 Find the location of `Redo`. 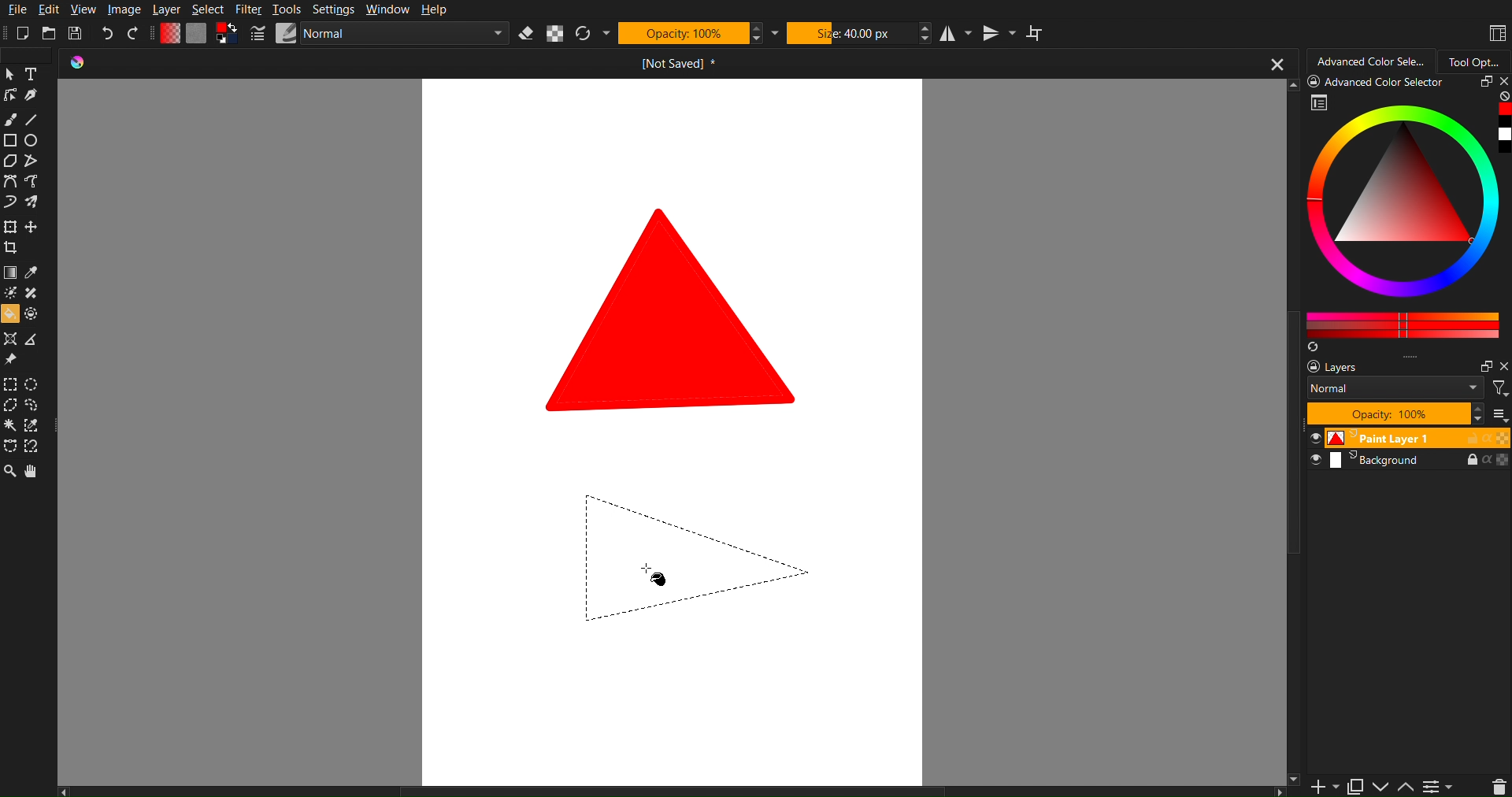

Redo is located at coordinates (137, 33).